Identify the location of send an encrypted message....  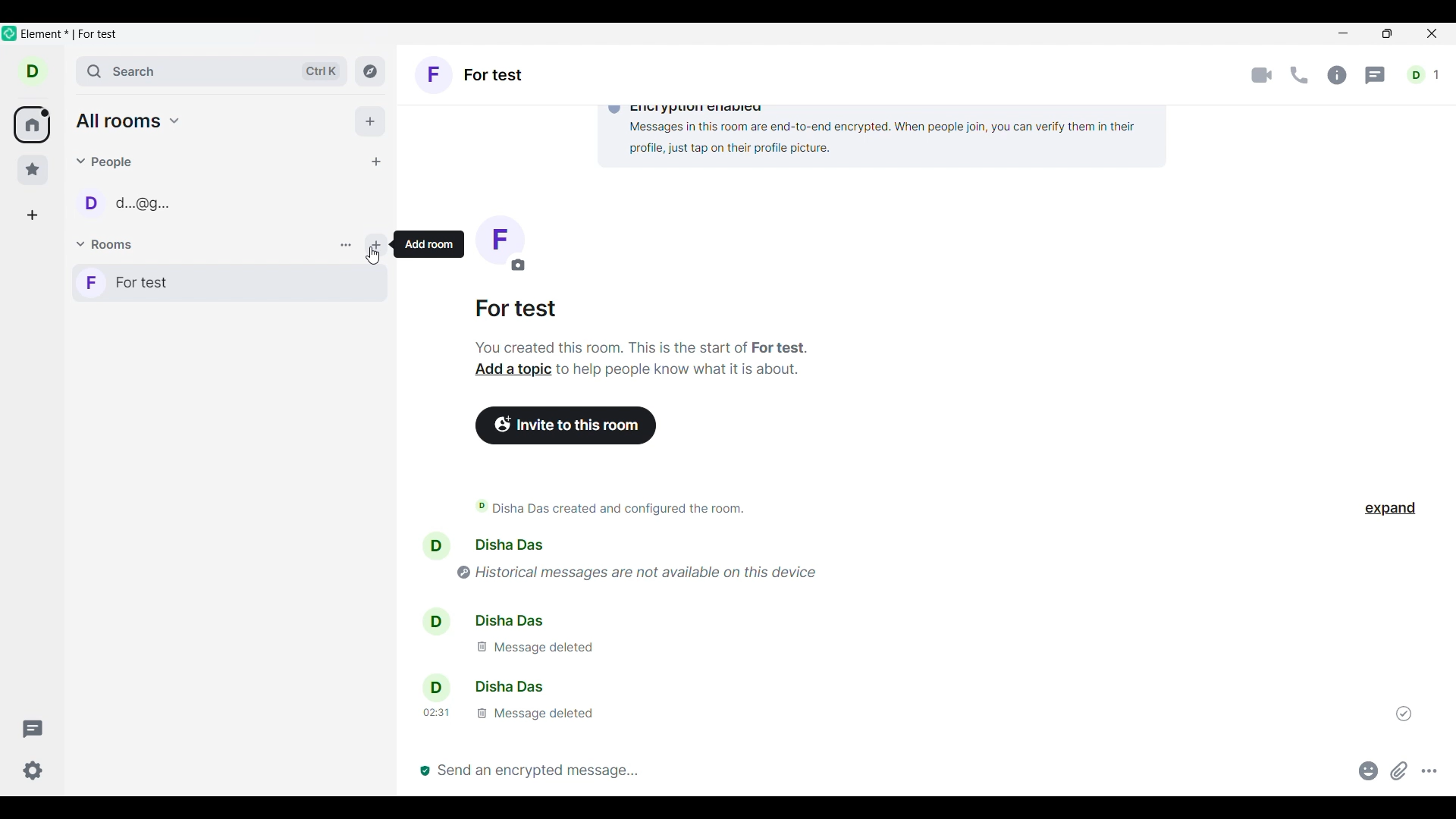
(880, 770).